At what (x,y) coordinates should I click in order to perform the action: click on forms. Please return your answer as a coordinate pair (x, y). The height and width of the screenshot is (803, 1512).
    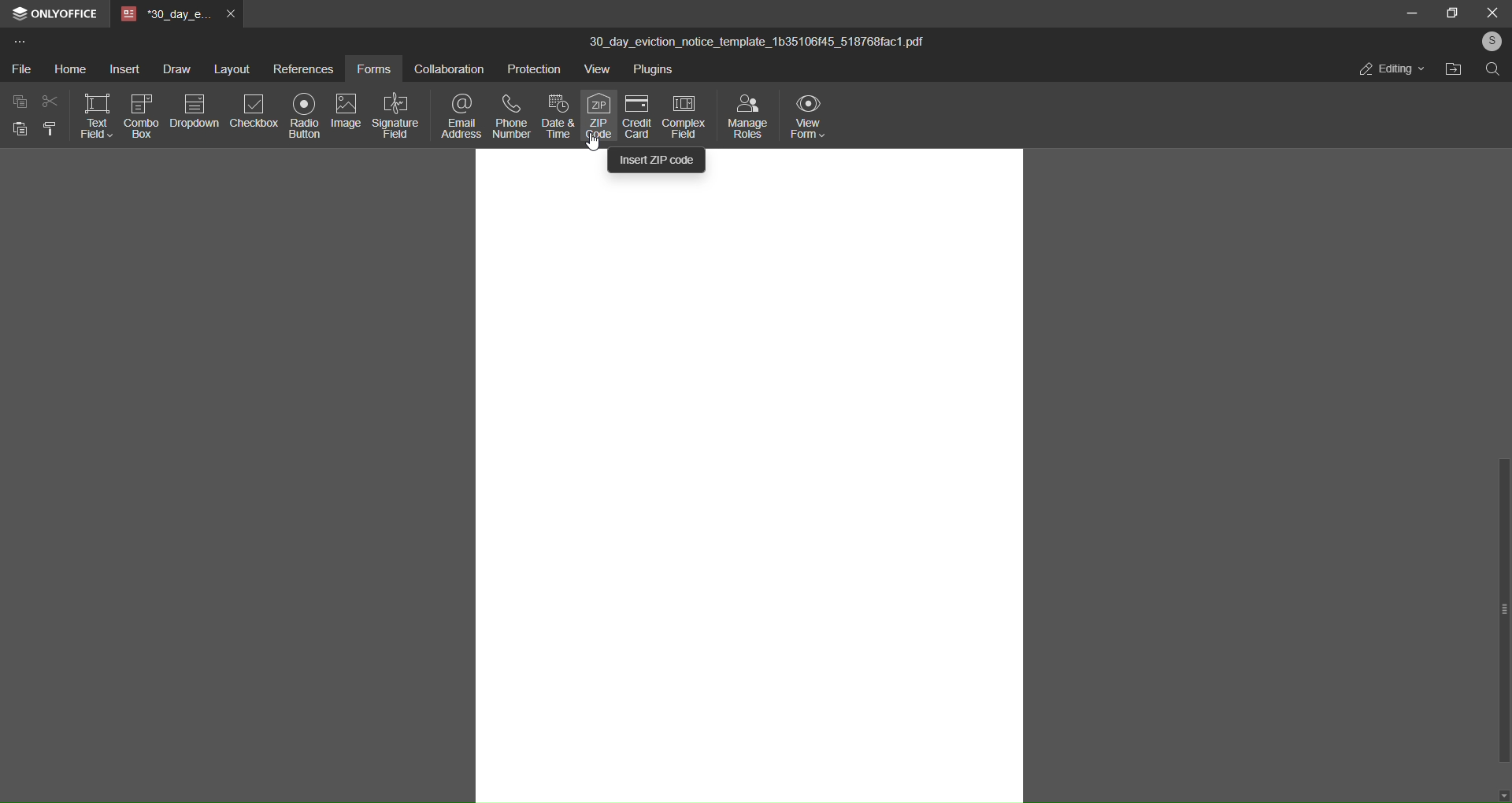
    Looking at the image, I should click on (372, 68).